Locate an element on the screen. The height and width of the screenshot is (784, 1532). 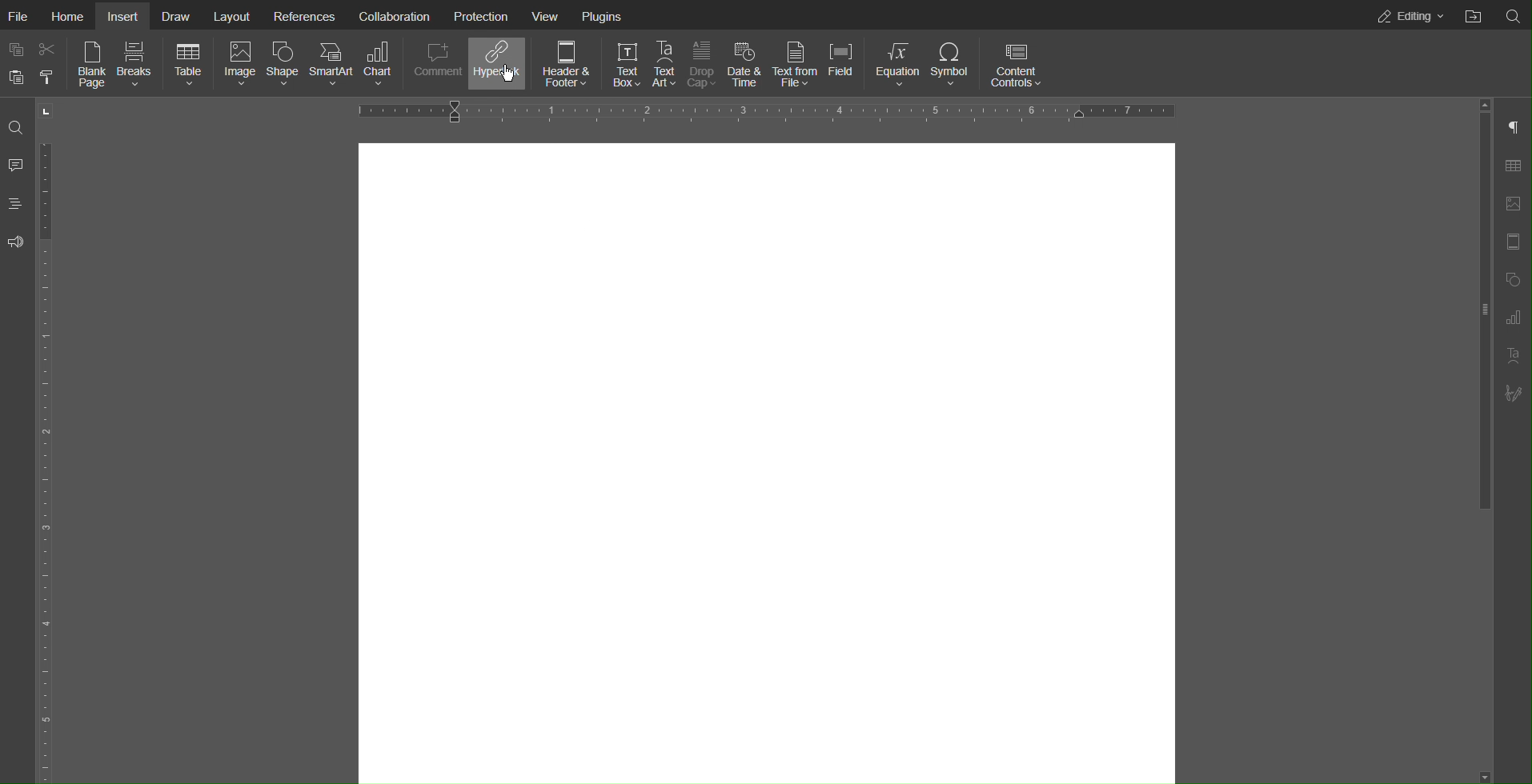
File is located at coordinates (22, 16).